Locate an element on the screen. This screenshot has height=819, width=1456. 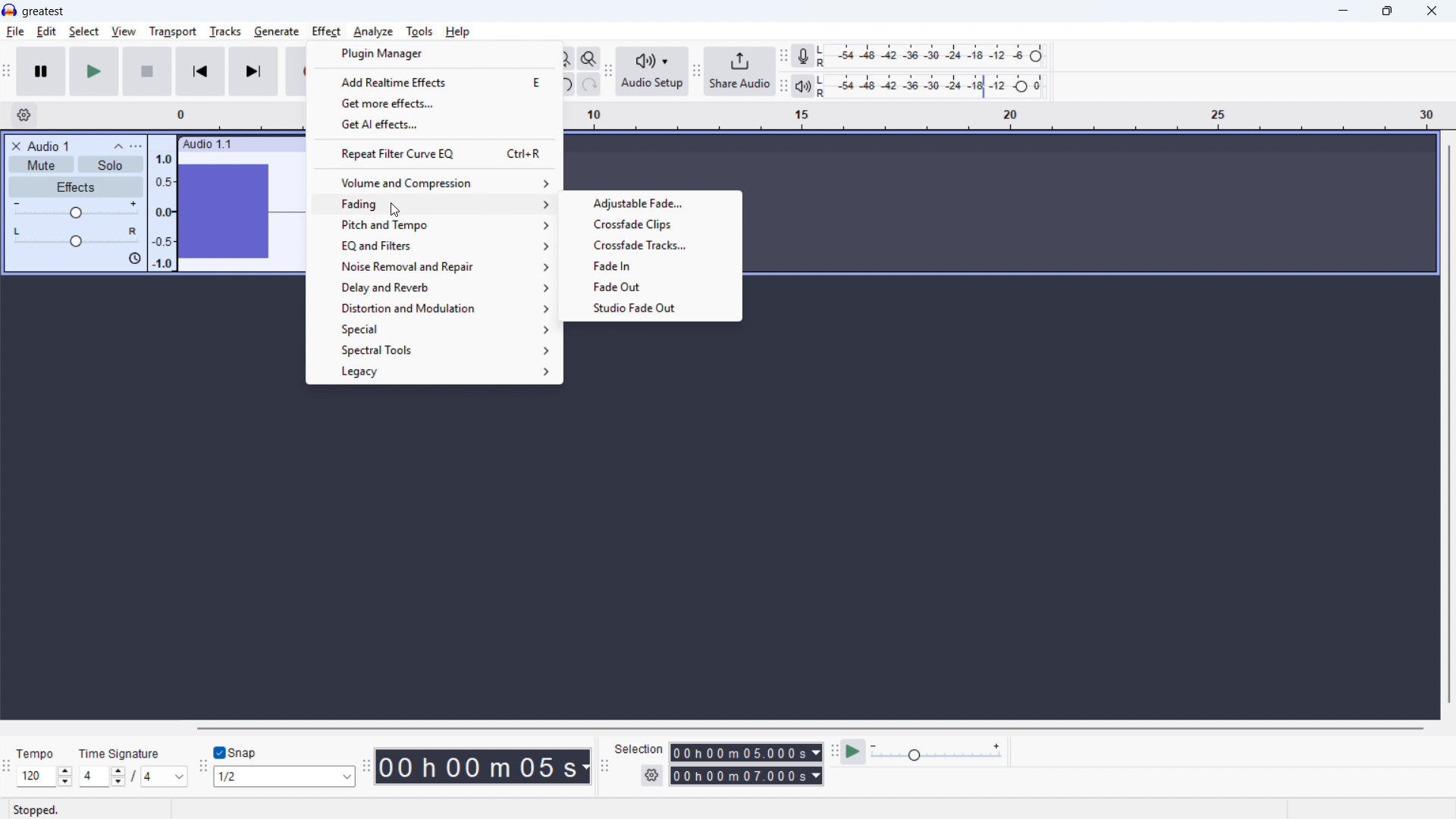
Horizontal scroll bar  is located at coordinates (809, 729).